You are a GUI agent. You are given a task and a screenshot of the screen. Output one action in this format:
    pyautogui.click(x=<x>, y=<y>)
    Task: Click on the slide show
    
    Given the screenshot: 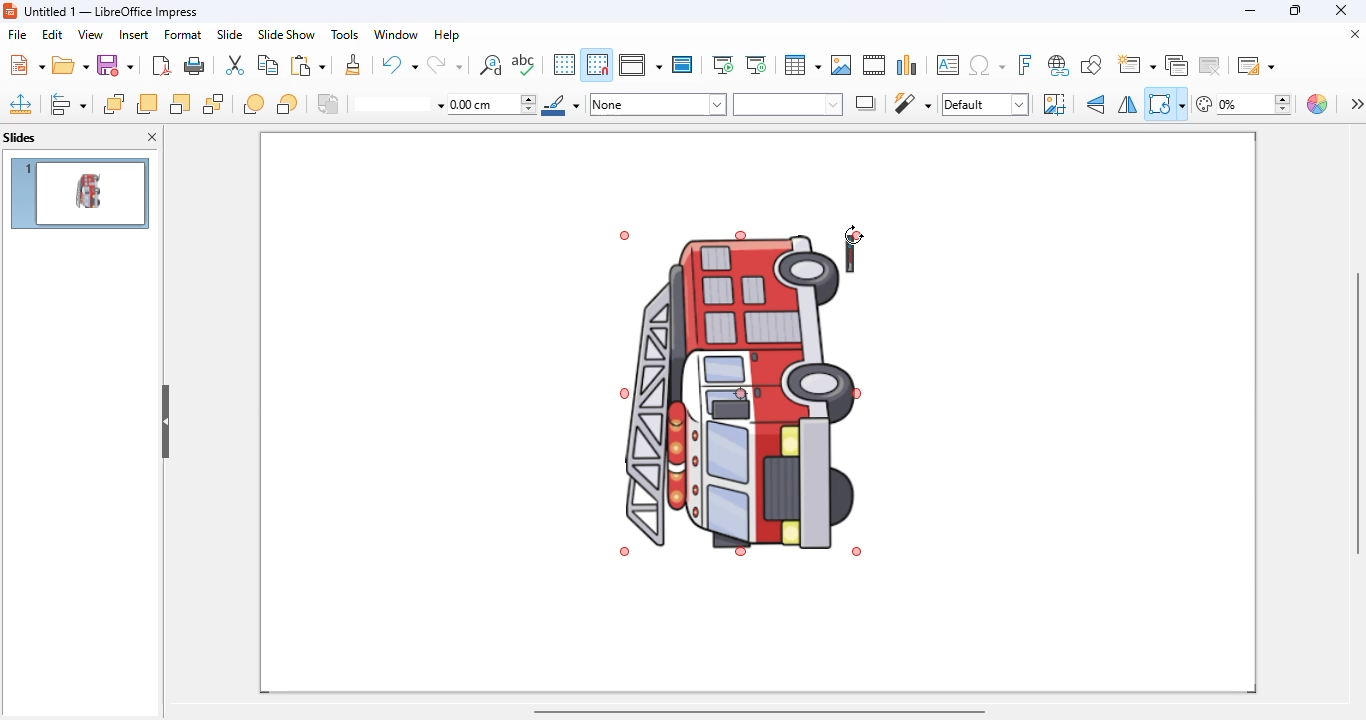 What is the action you would take?
    pyautogui.click(x=286, y=34)
    